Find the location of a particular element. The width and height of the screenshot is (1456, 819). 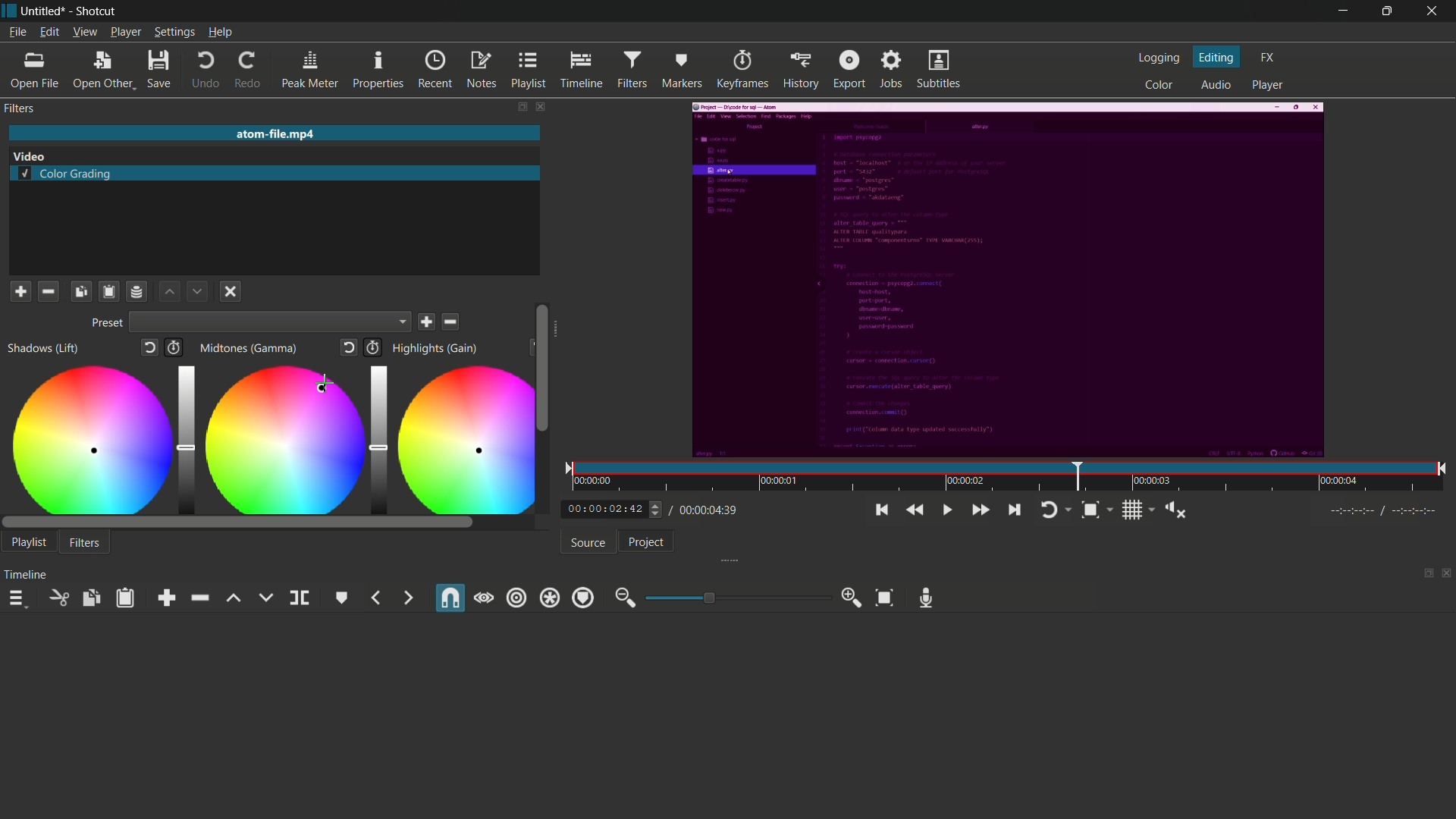

Scroller is located at coordinates (238, 523).